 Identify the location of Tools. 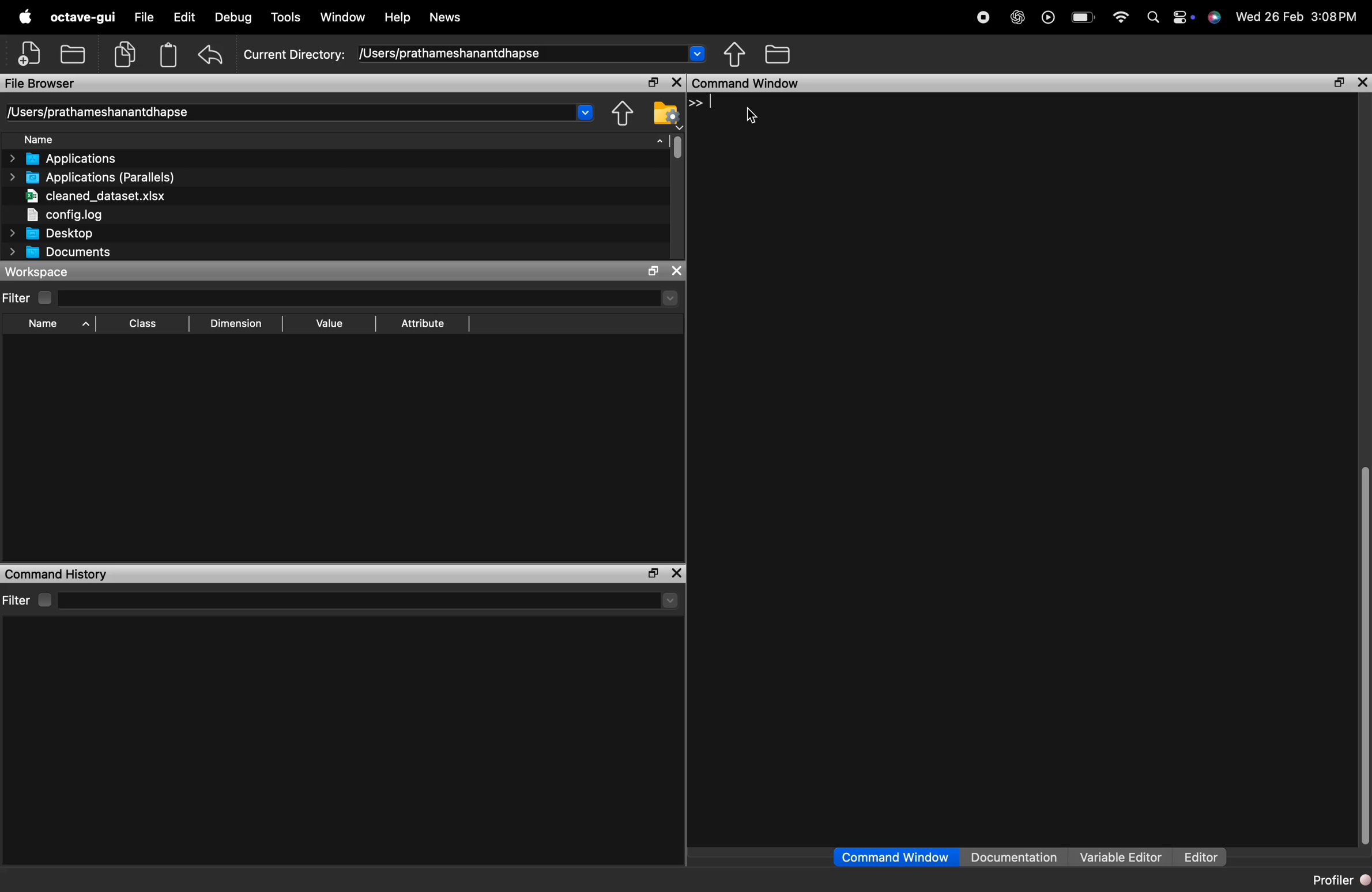
(288, 18).